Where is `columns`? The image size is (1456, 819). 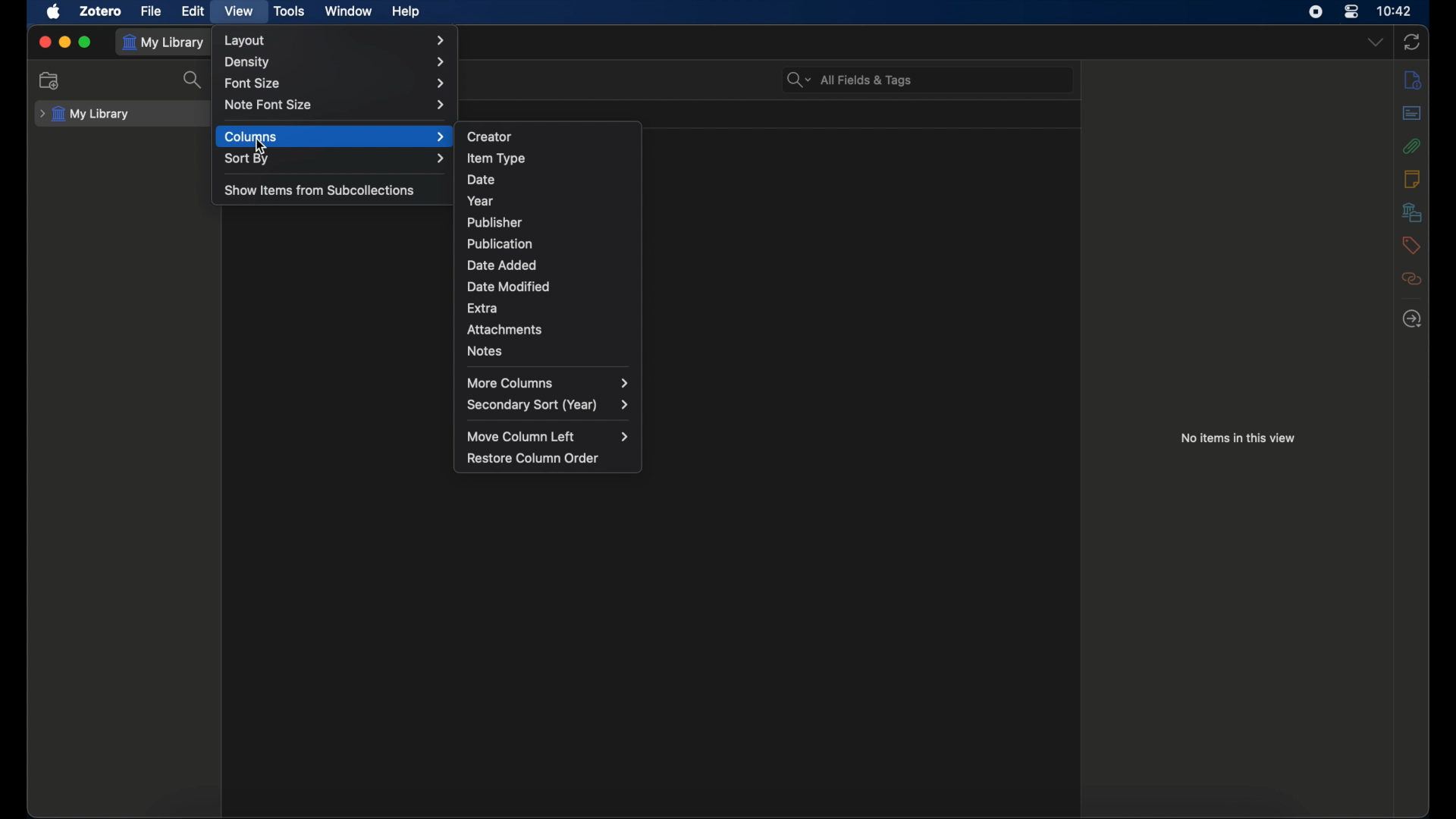
columns is located at coordinates (335, 136).